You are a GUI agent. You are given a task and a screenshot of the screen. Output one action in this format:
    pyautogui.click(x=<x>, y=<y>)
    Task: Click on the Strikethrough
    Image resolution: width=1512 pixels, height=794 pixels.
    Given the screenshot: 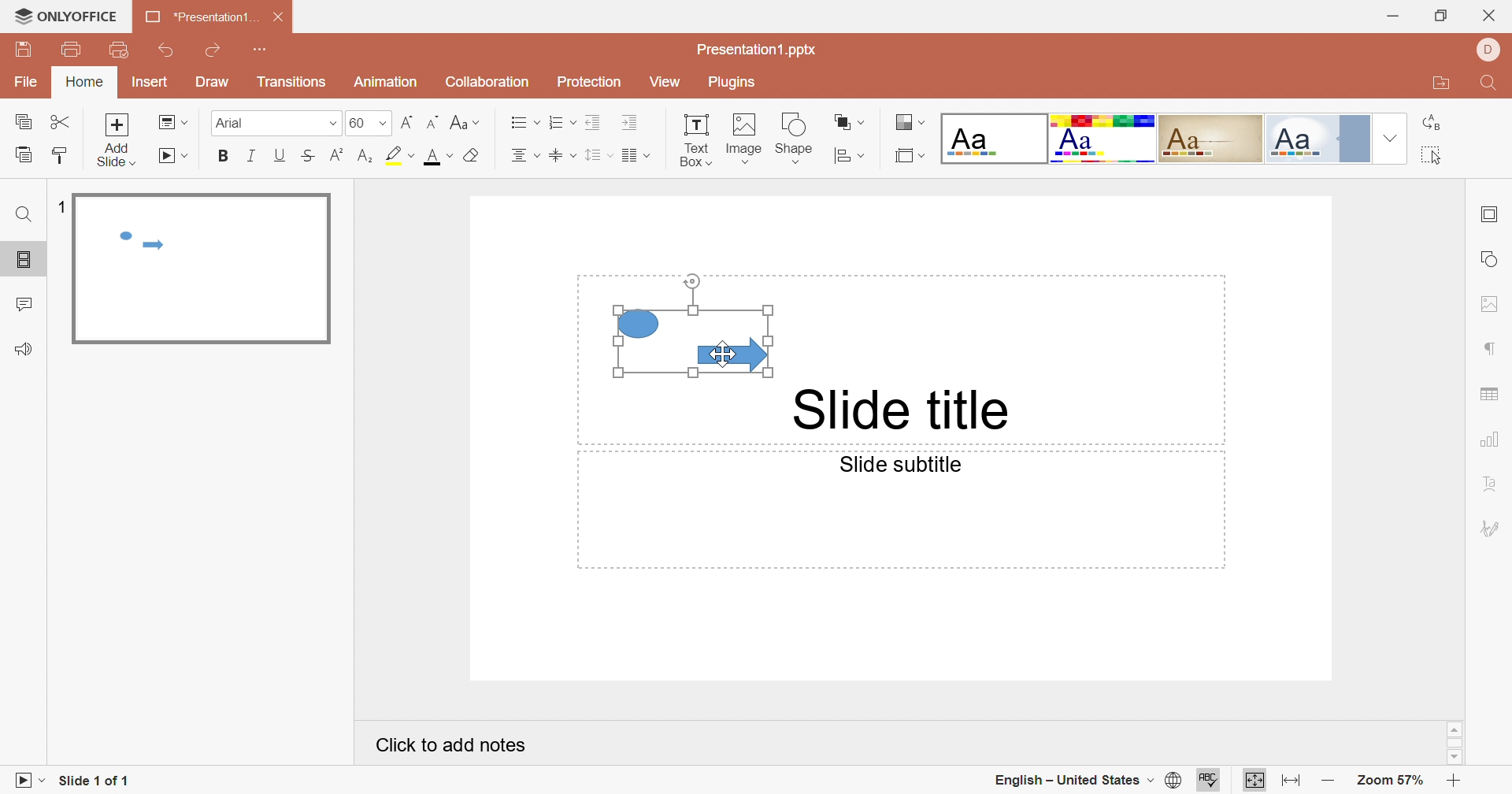 What is the action you would take?
    pyautogui.click(x=308, y=158)
    